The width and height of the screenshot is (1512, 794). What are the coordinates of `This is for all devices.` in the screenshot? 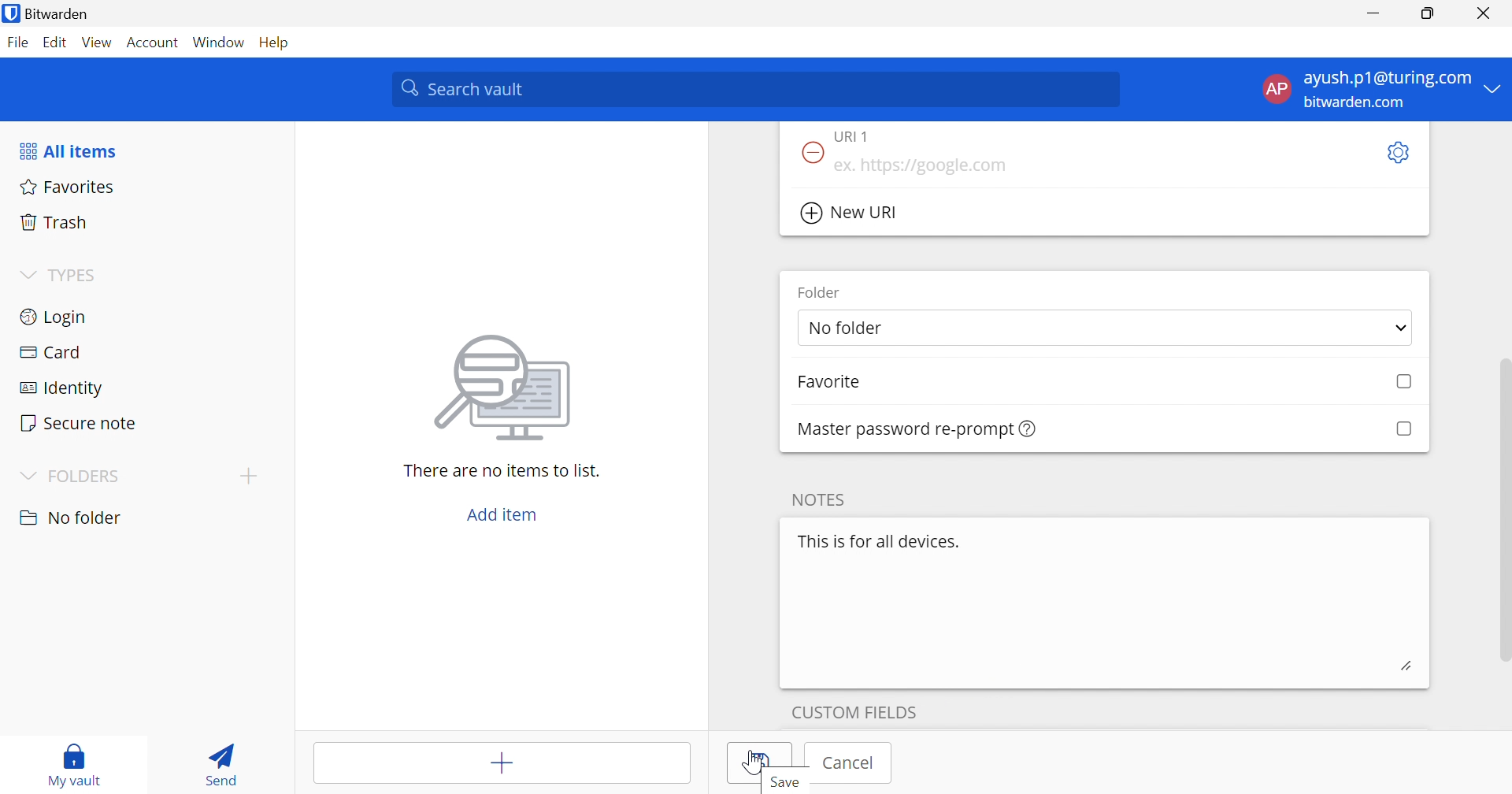 It's located at (880, 542).